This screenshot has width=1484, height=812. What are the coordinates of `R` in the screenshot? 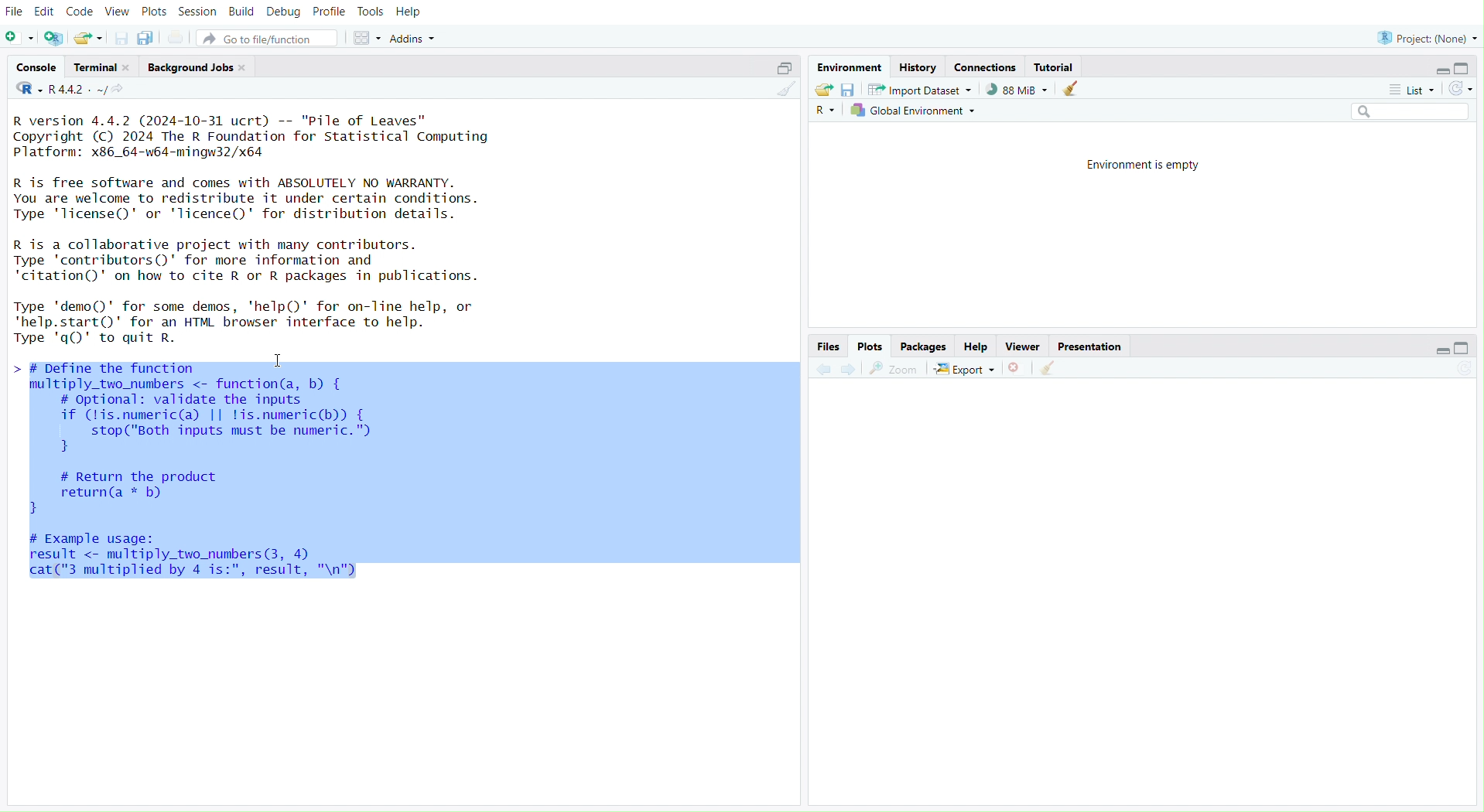 It's located at (826, 111).